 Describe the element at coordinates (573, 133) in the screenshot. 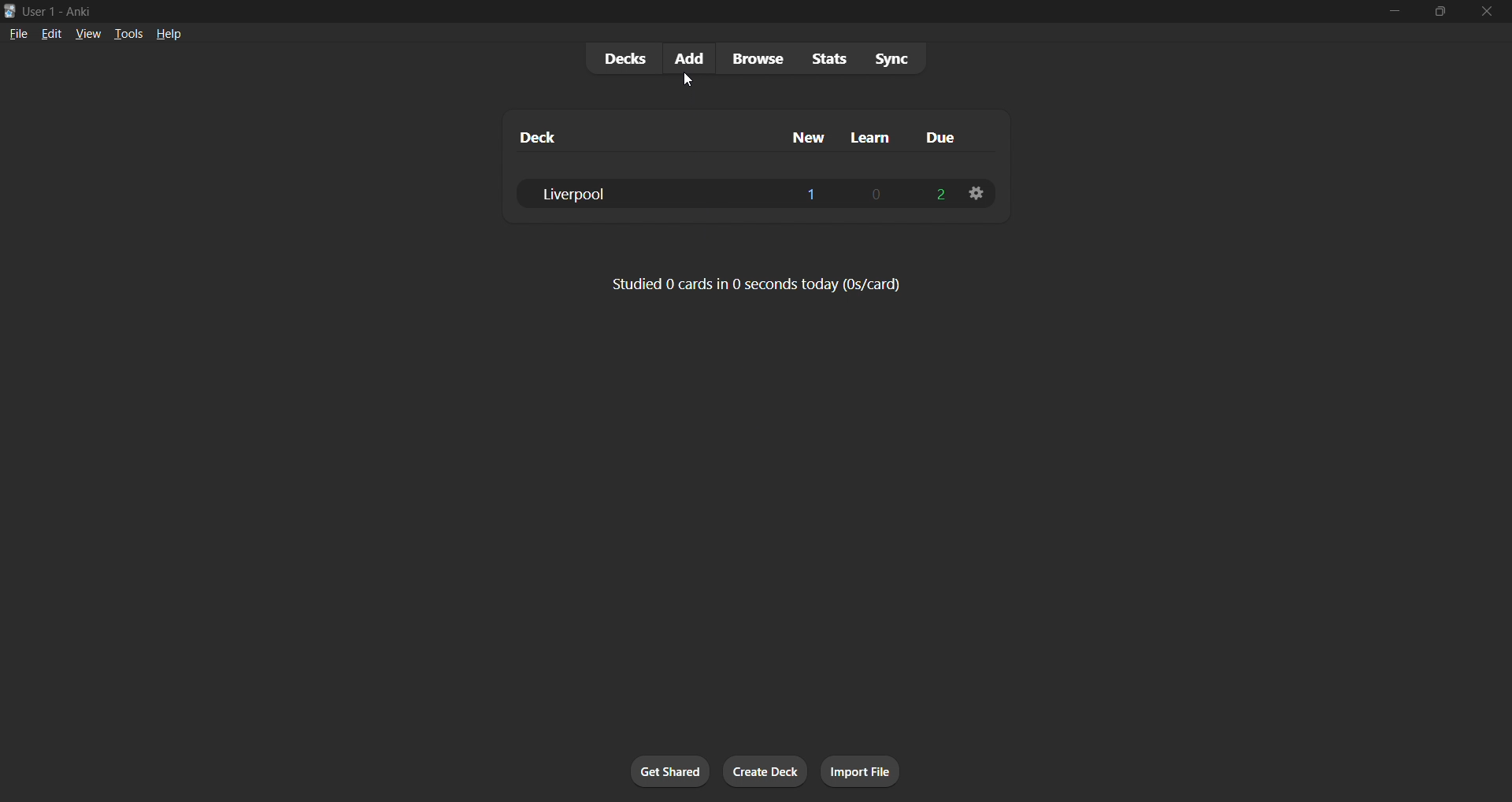

I see `deck` at that location.